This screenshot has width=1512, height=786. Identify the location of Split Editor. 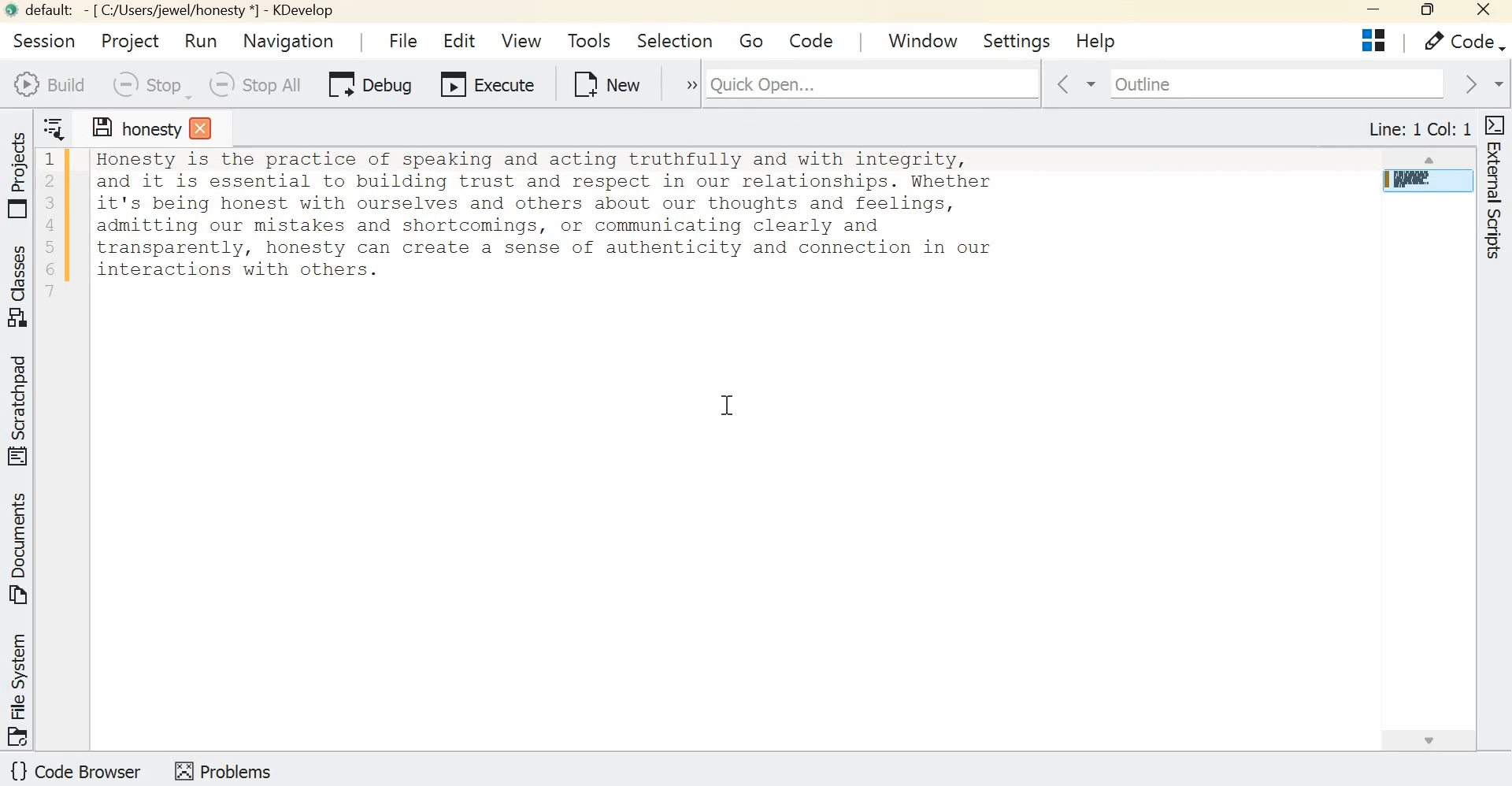
(1373, 40).